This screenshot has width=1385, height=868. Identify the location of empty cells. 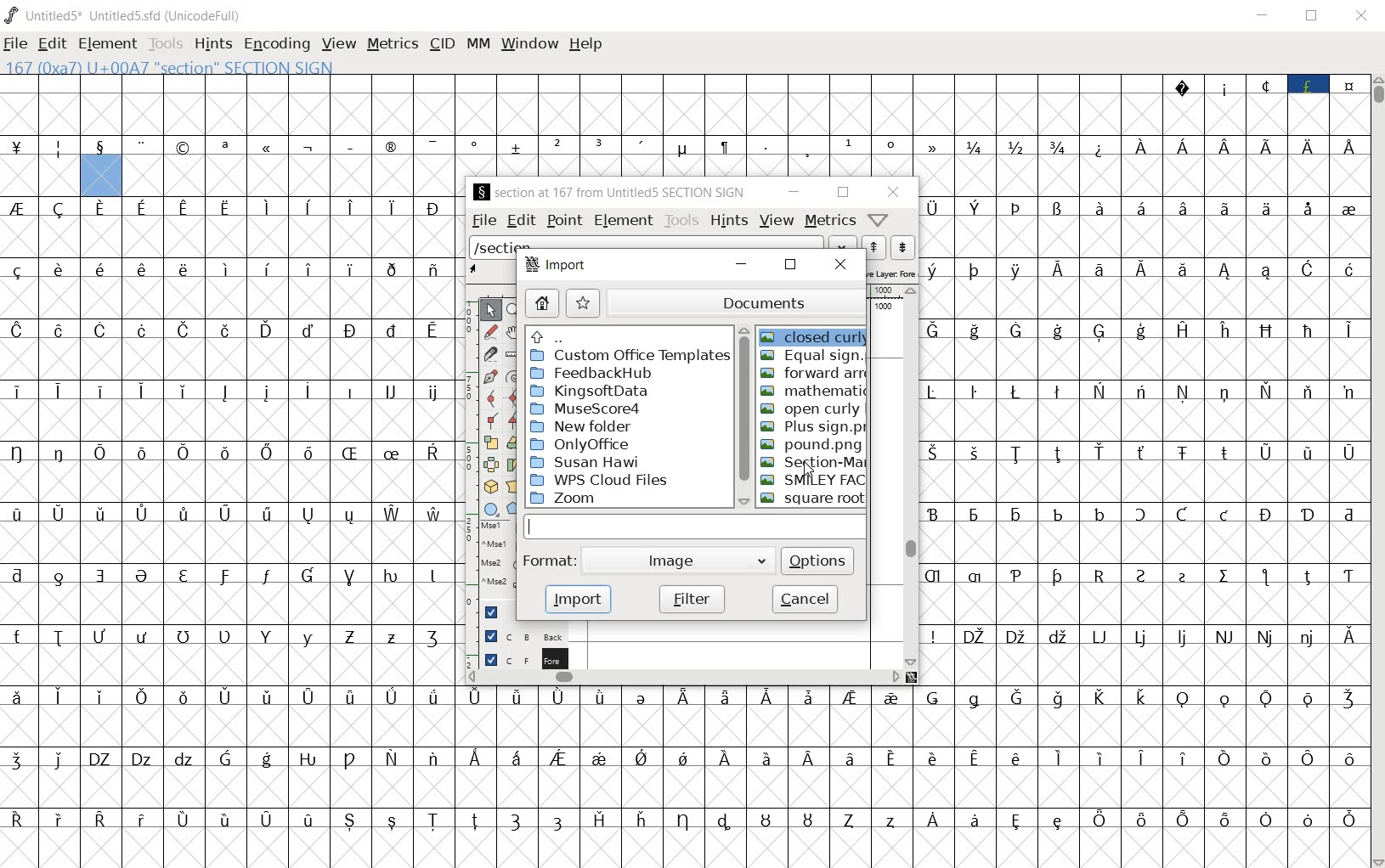
(1144, 603).